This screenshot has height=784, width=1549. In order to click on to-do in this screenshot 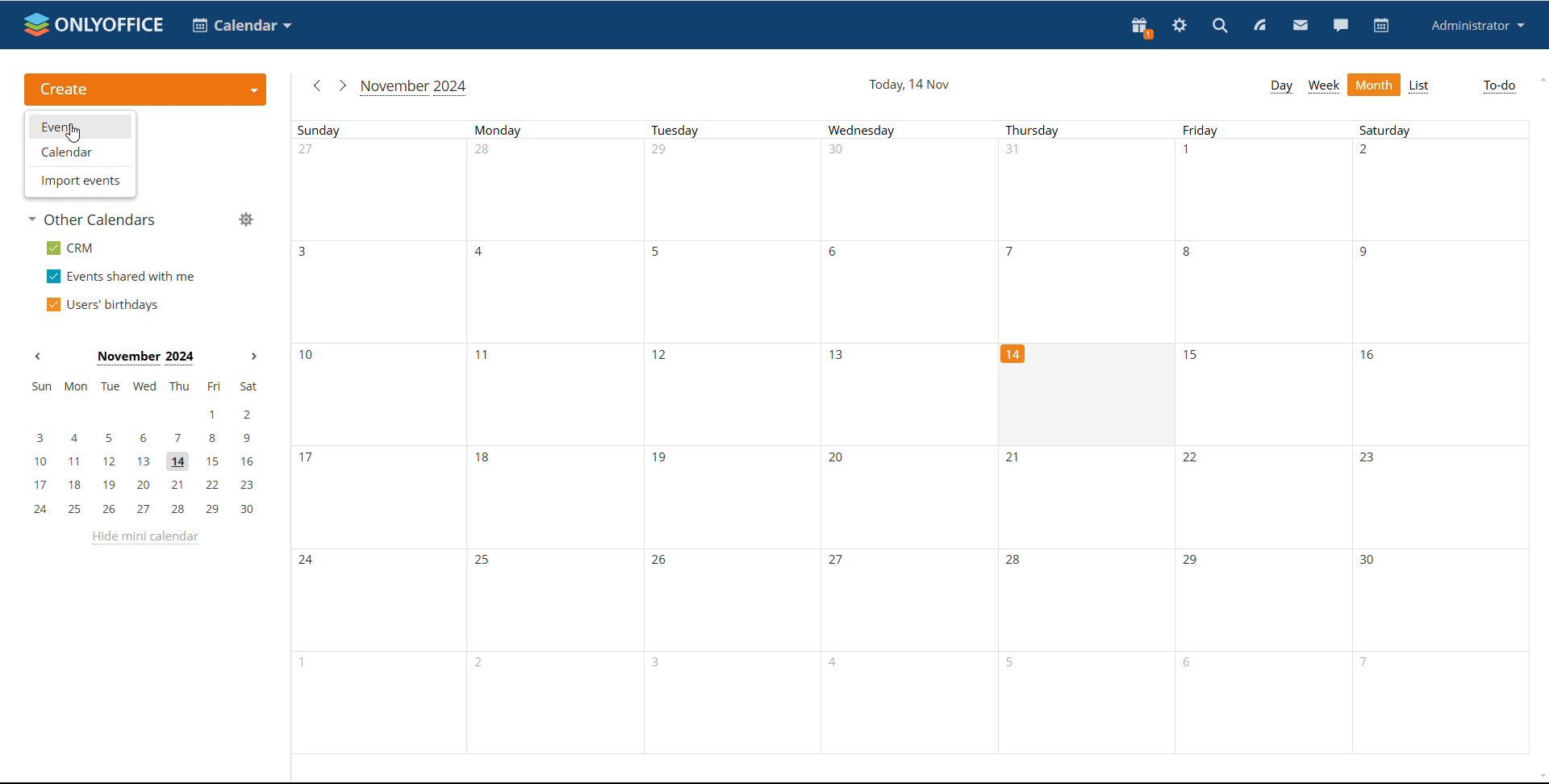, I will do `click(1498, 87)`.